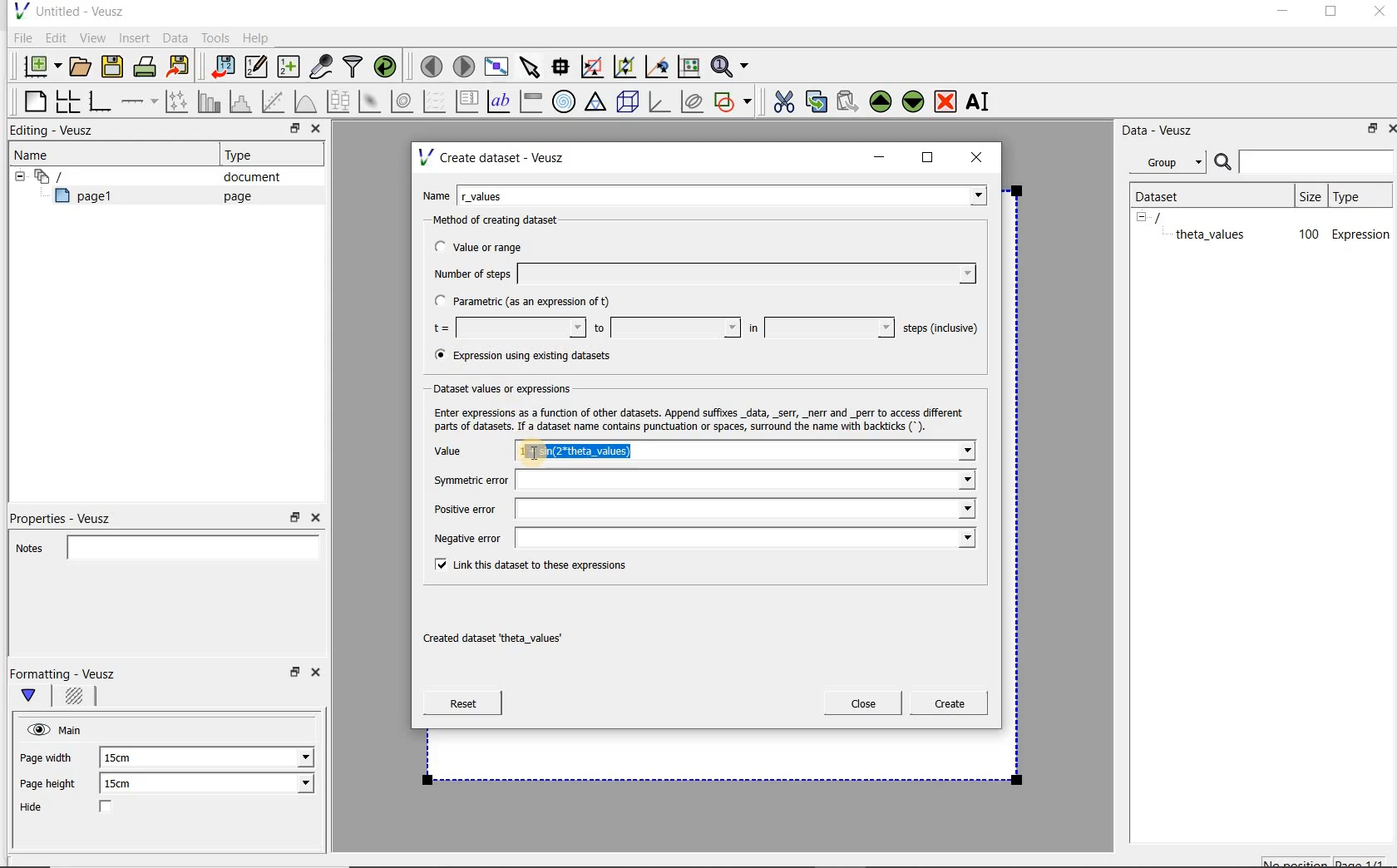 The width and height of the screenshot is (1397, 868). I want to click on restore down, so click(290, 131).